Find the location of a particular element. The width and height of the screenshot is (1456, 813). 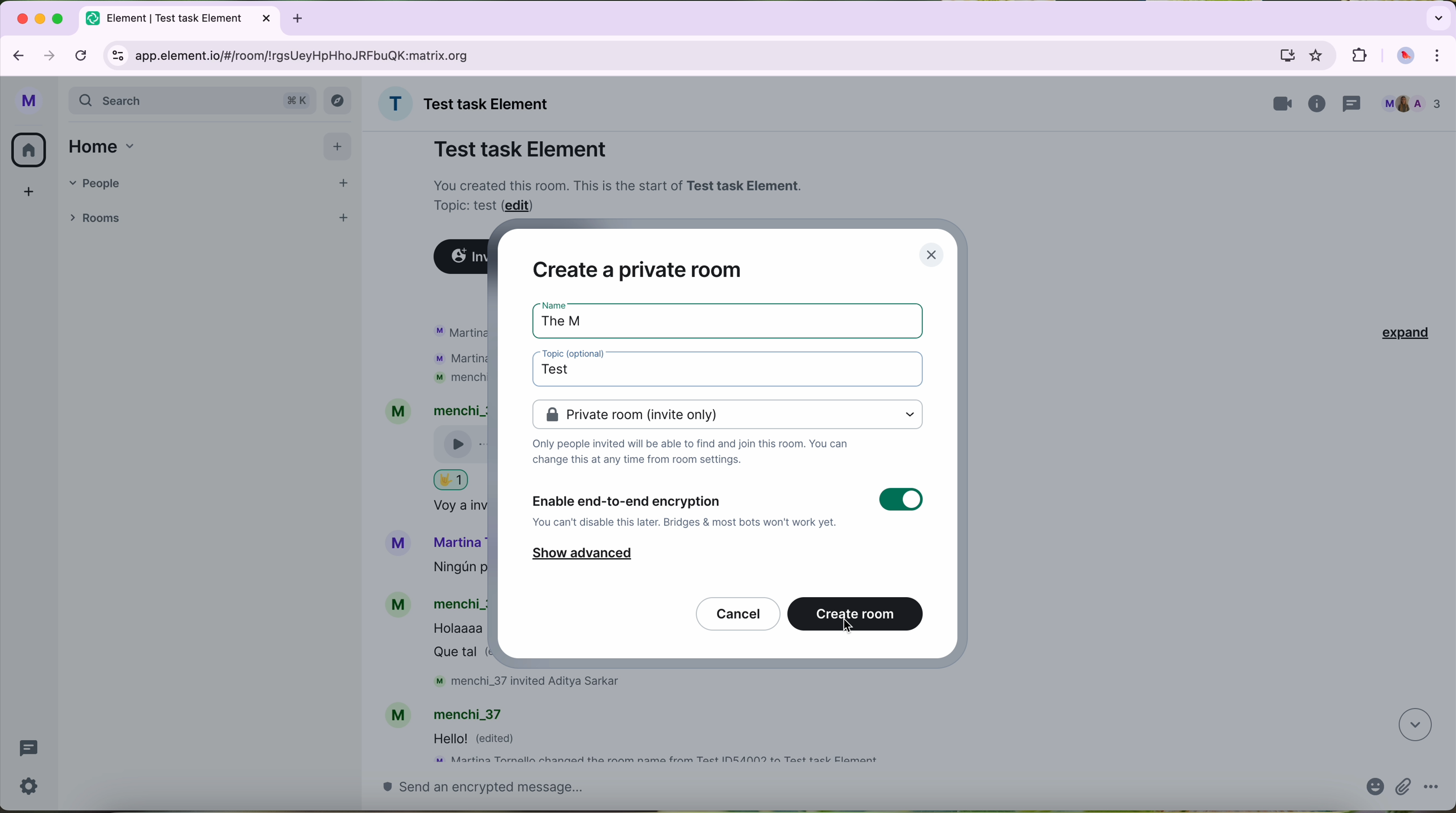

navigate down is located at coordinates (1413, 725).